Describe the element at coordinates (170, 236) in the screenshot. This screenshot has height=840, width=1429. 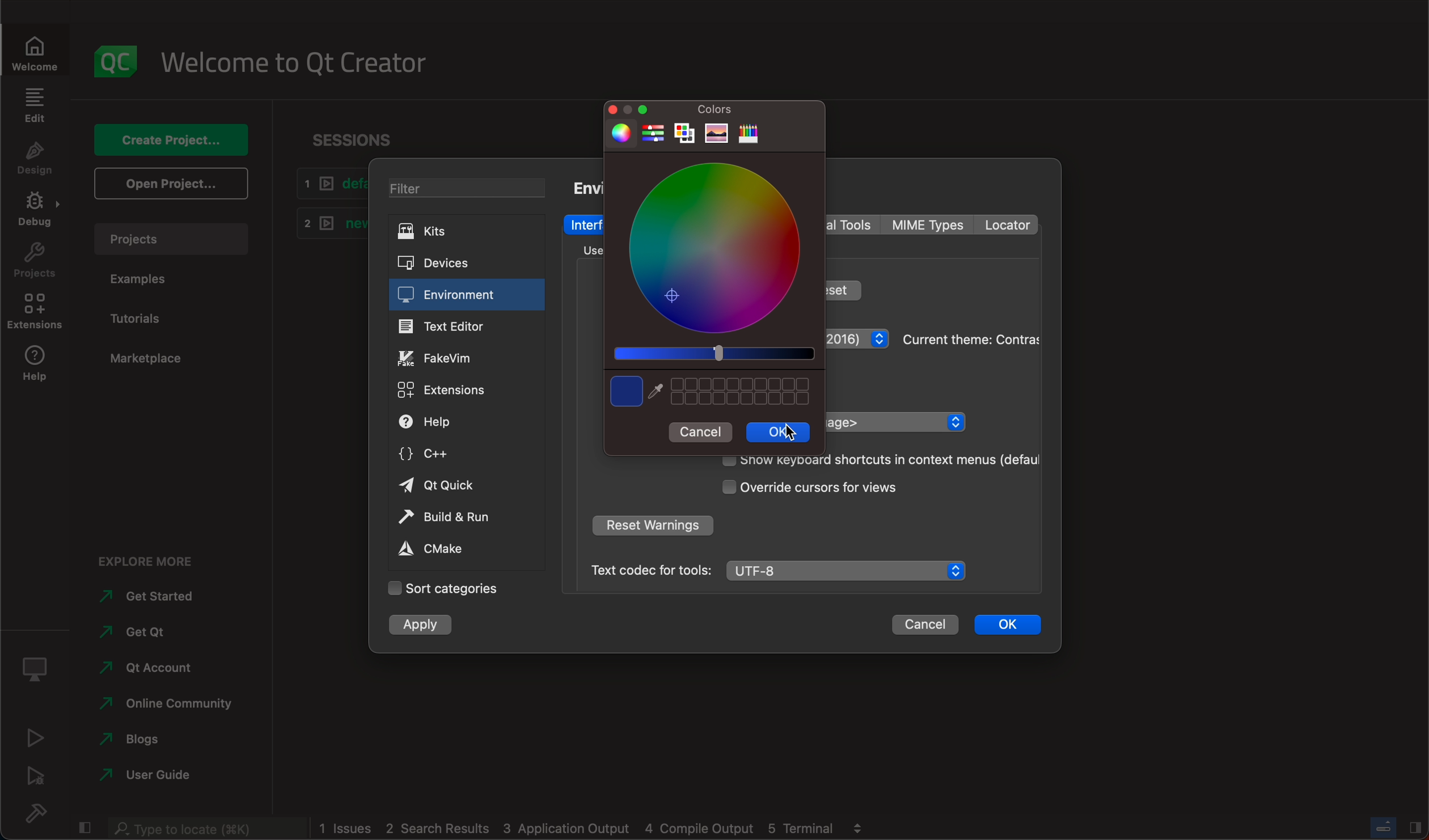
I see `project` at that location.